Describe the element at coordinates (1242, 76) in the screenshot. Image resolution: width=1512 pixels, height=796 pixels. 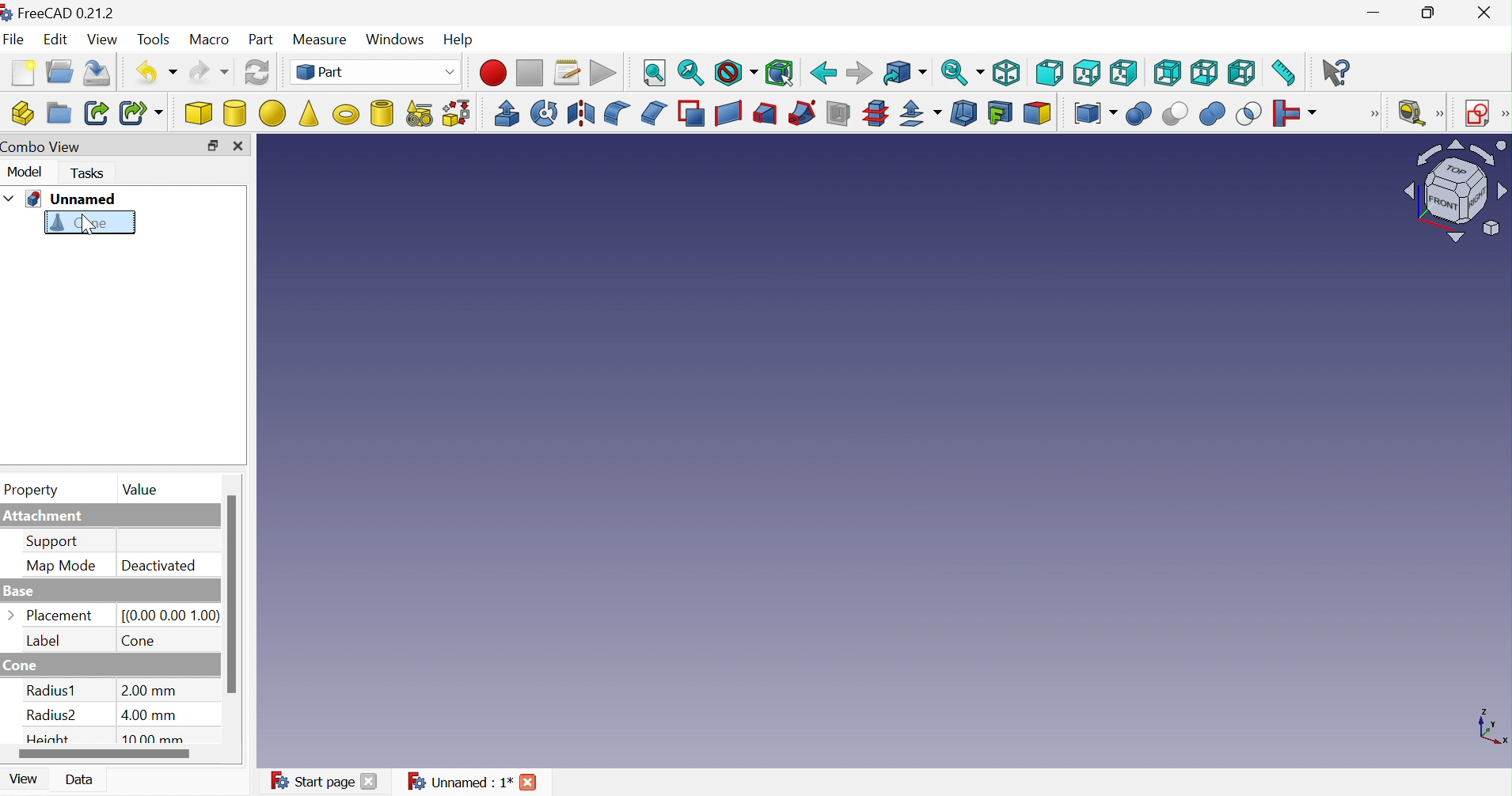
I see `Left` at that location.